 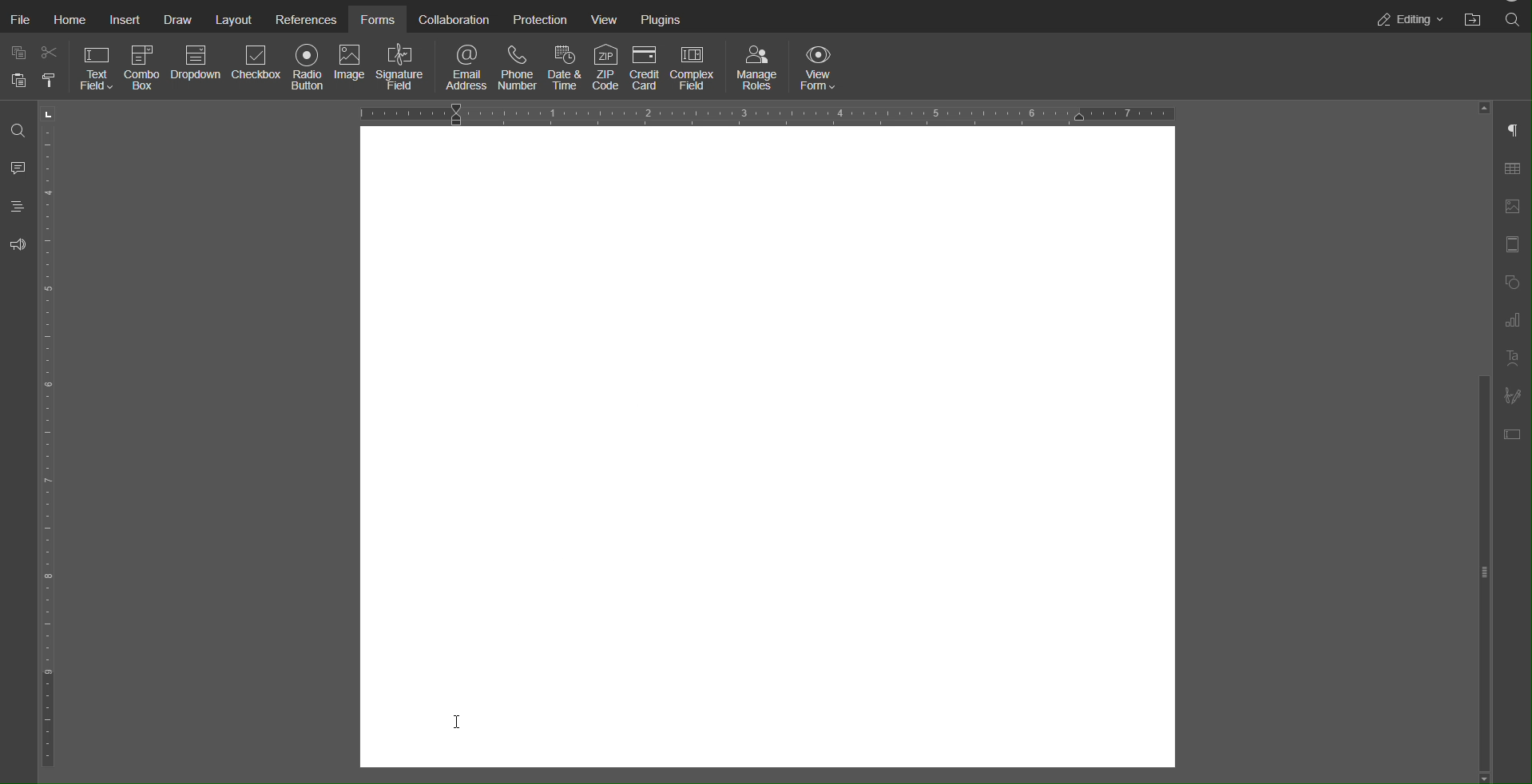 I want to click on Shape Settings, so click(x=1512, y=283).